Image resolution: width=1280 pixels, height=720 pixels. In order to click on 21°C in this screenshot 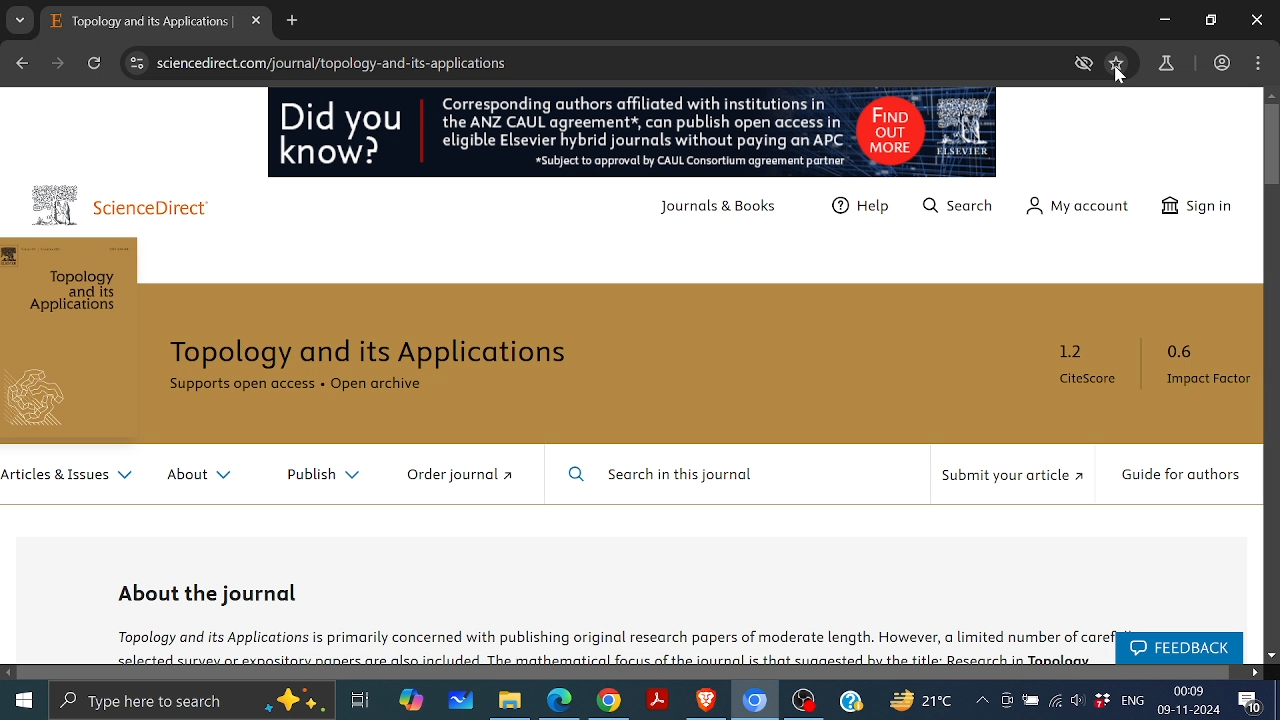, I will do `click(926, 700)`.